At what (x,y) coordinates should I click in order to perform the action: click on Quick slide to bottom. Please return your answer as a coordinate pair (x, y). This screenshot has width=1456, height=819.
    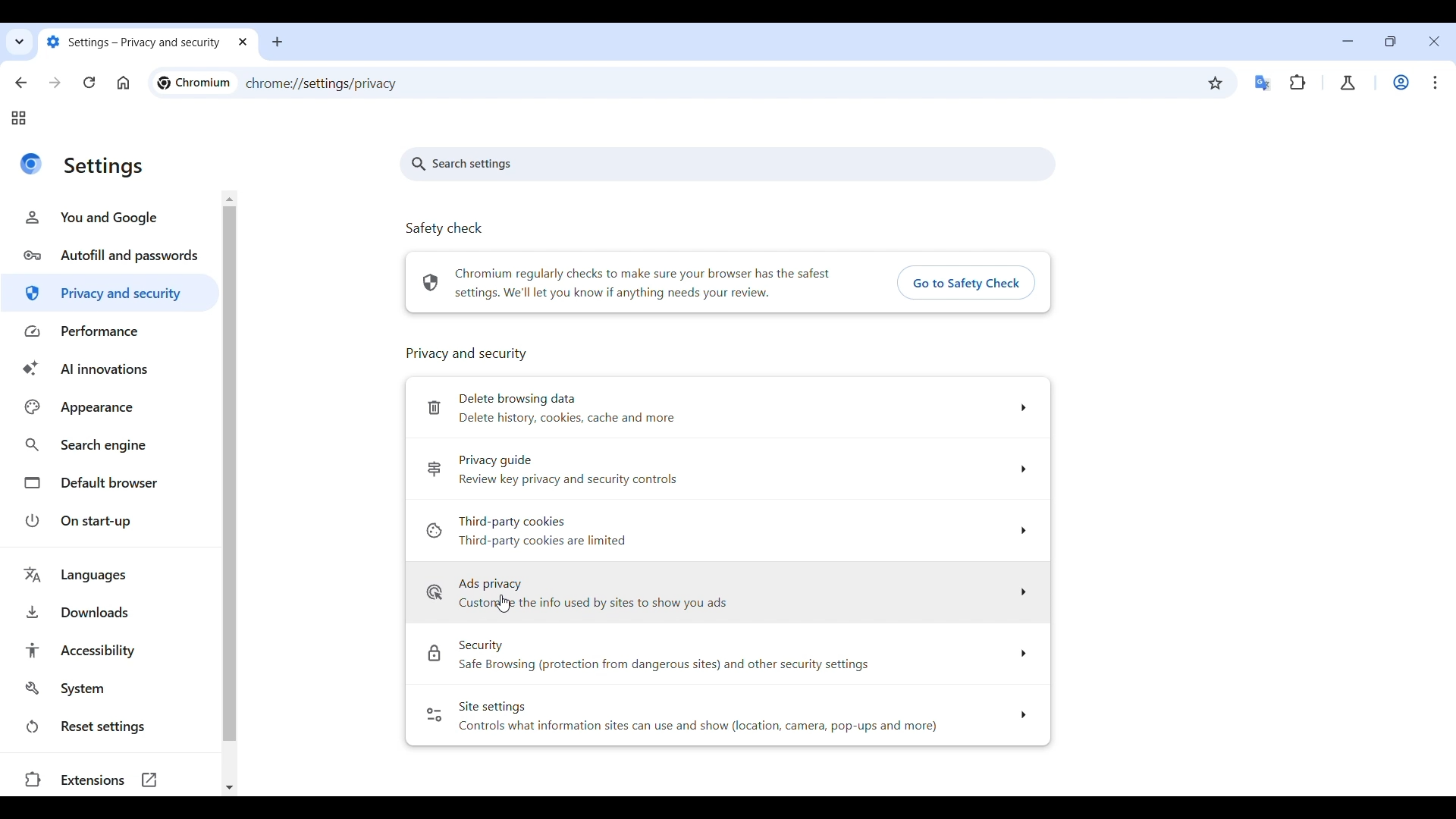
    Looking at the image, I should click on (229, 788).